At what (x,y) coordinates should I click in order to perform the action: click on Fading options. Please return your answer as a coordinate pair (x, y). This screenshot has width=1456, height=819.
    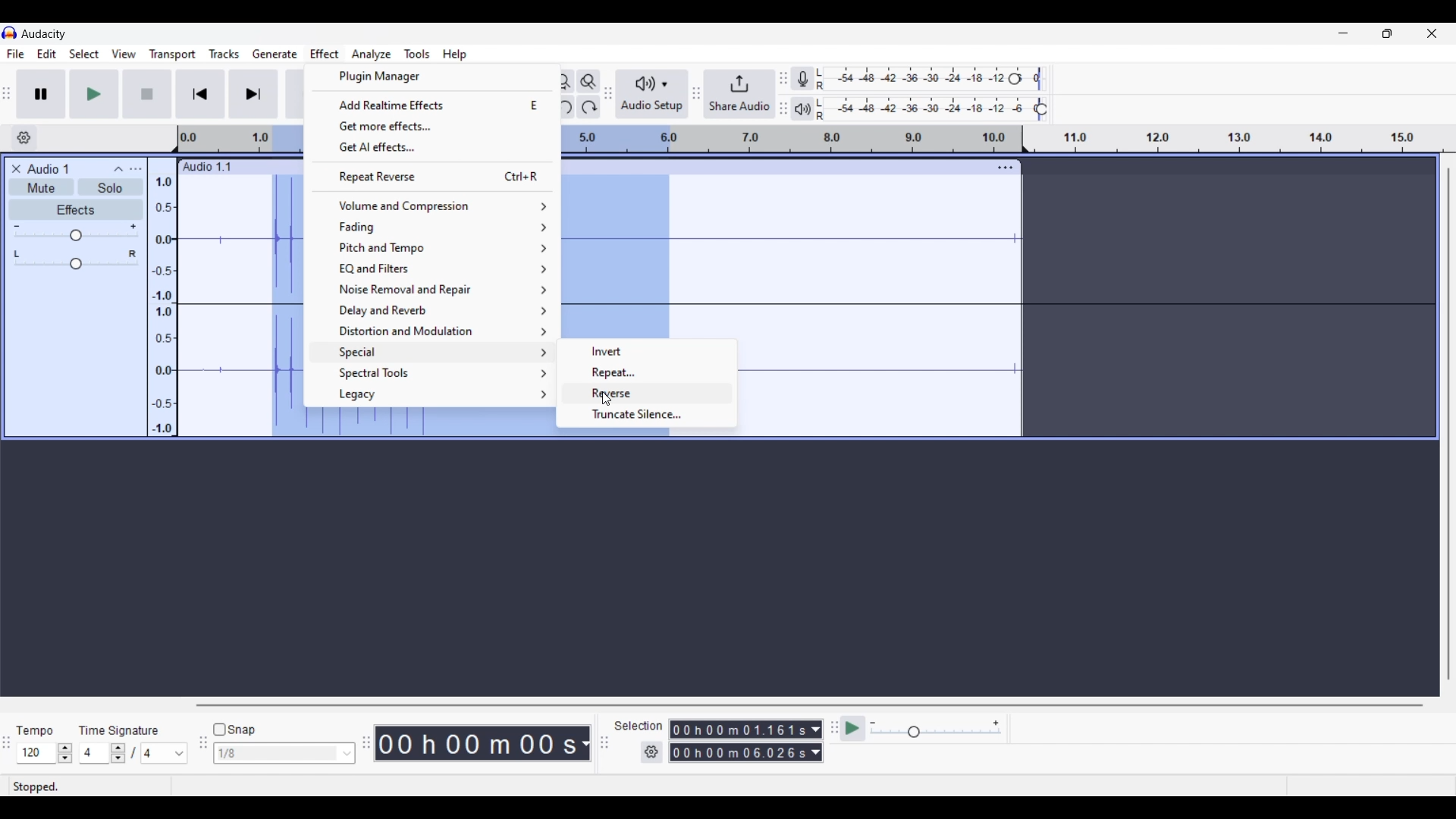
    Looking at the image, I should click on (431, 227).